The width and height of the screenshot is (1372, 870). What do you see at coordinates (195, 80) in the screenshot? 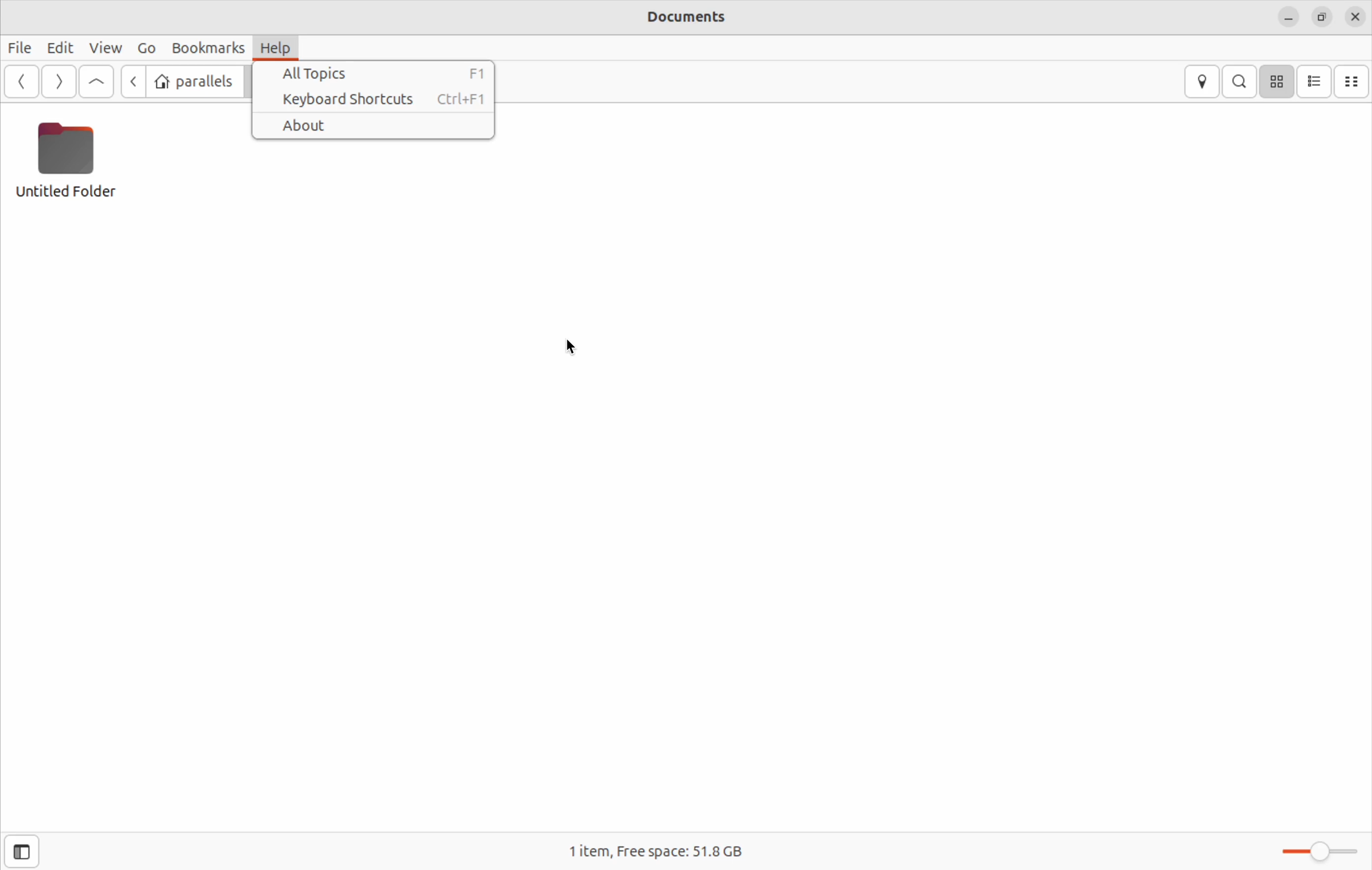
I see `parallels` at bounding box center [195, 80].